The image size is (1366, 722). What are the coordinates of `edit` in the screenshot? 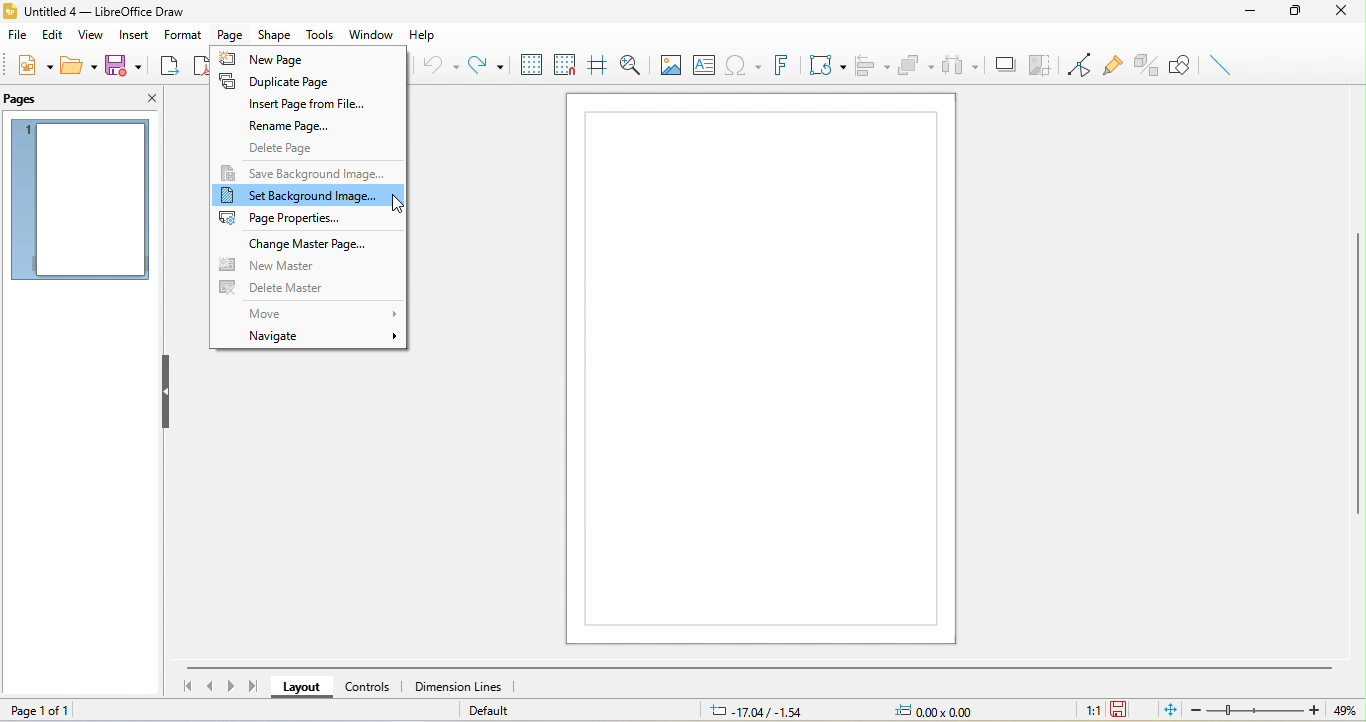 It's located at (54, 35).